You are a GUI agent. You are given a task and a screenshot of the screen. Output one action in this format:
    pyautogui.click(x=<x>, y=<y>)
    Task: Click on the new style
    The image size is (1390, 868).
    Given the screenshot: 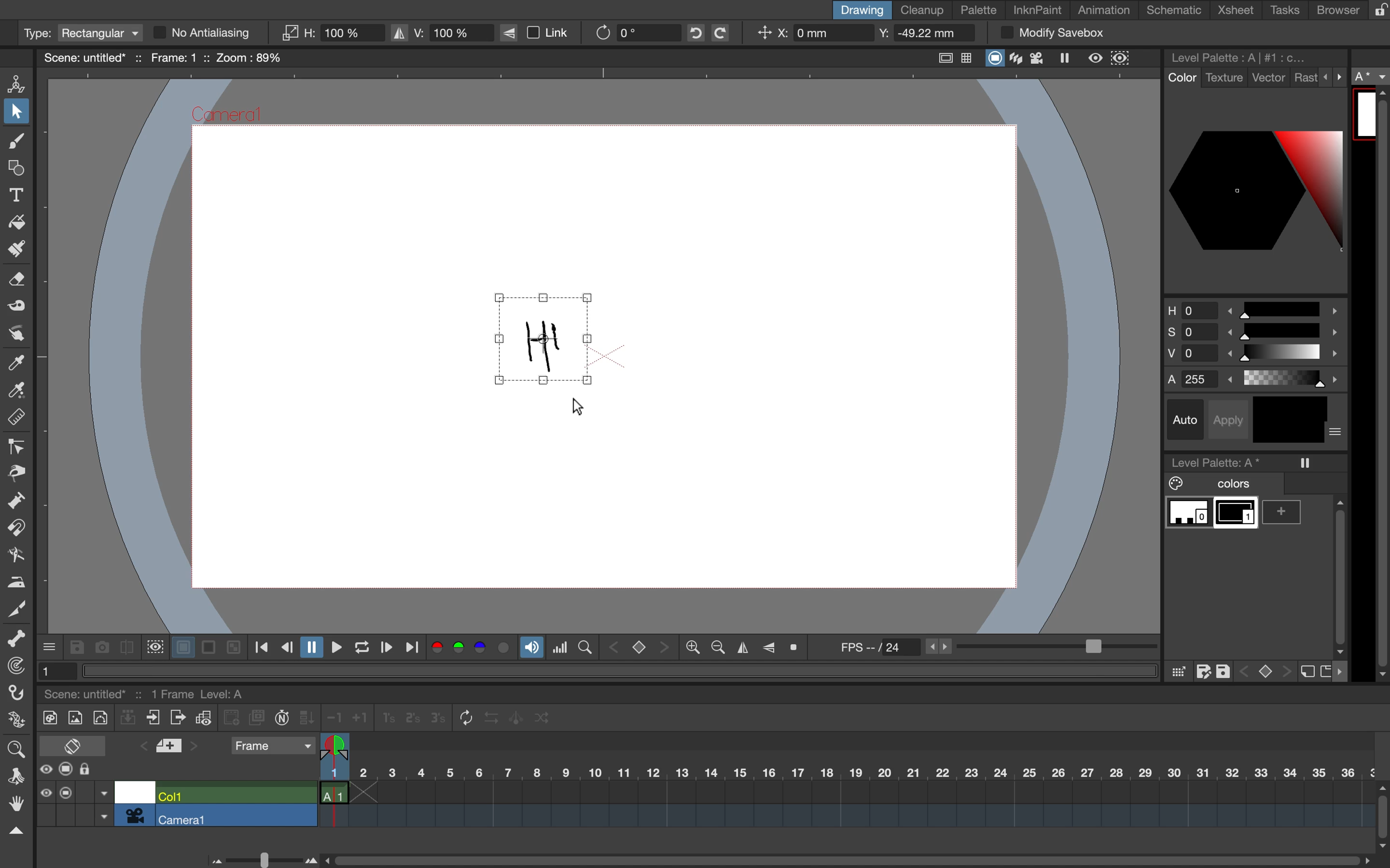 What is the action you would take?
    pyautogui.click(x=1306, y=672)
    